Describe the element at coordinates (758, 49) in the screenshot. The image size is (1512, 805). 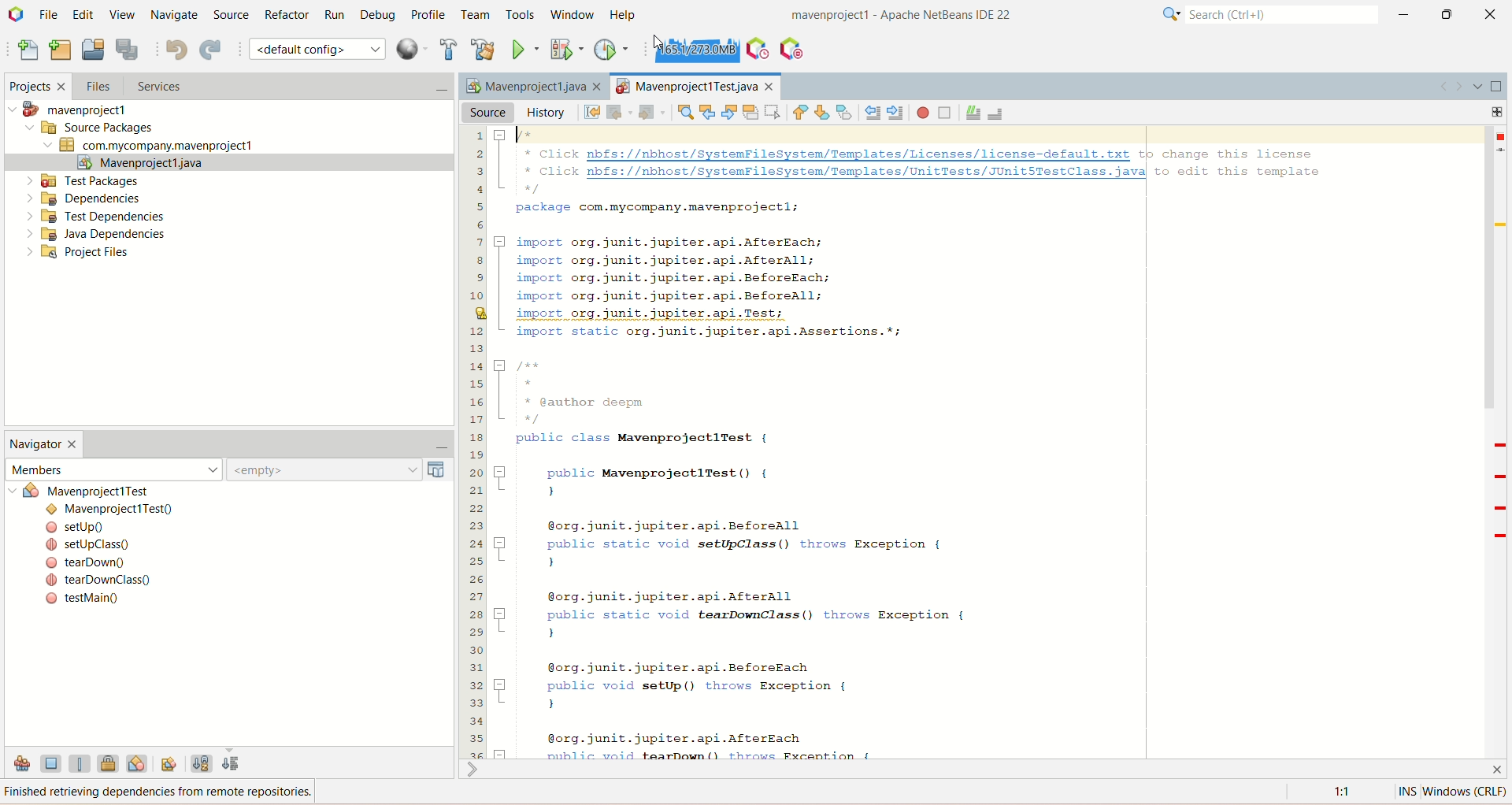
I see `profile IDE` at that location.